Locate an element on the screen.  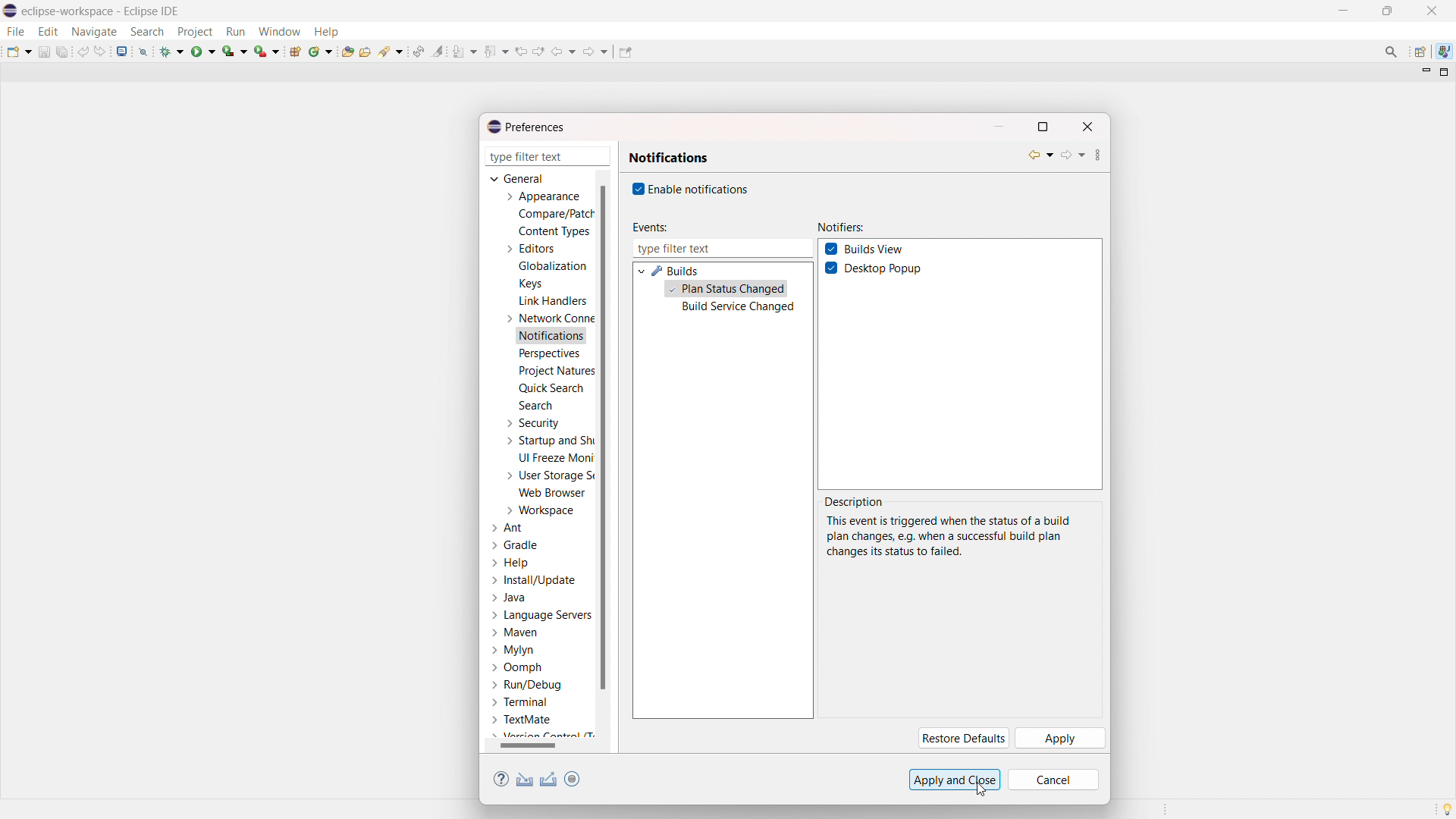
redo is located at coordinates (100, 51).